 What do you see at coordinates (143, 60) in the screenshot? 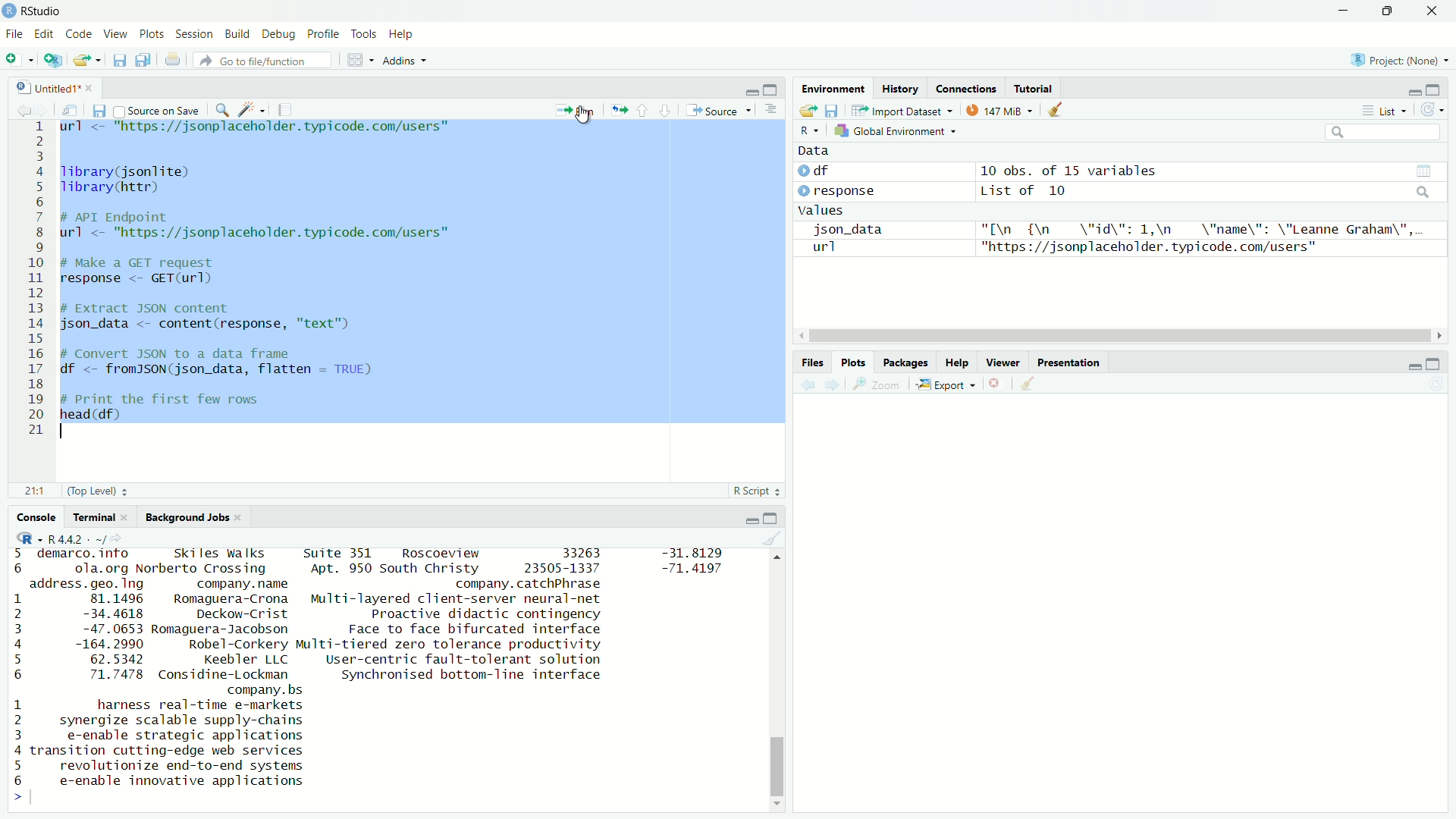
I see `Save all open documents` at bounding box center [143, 60].